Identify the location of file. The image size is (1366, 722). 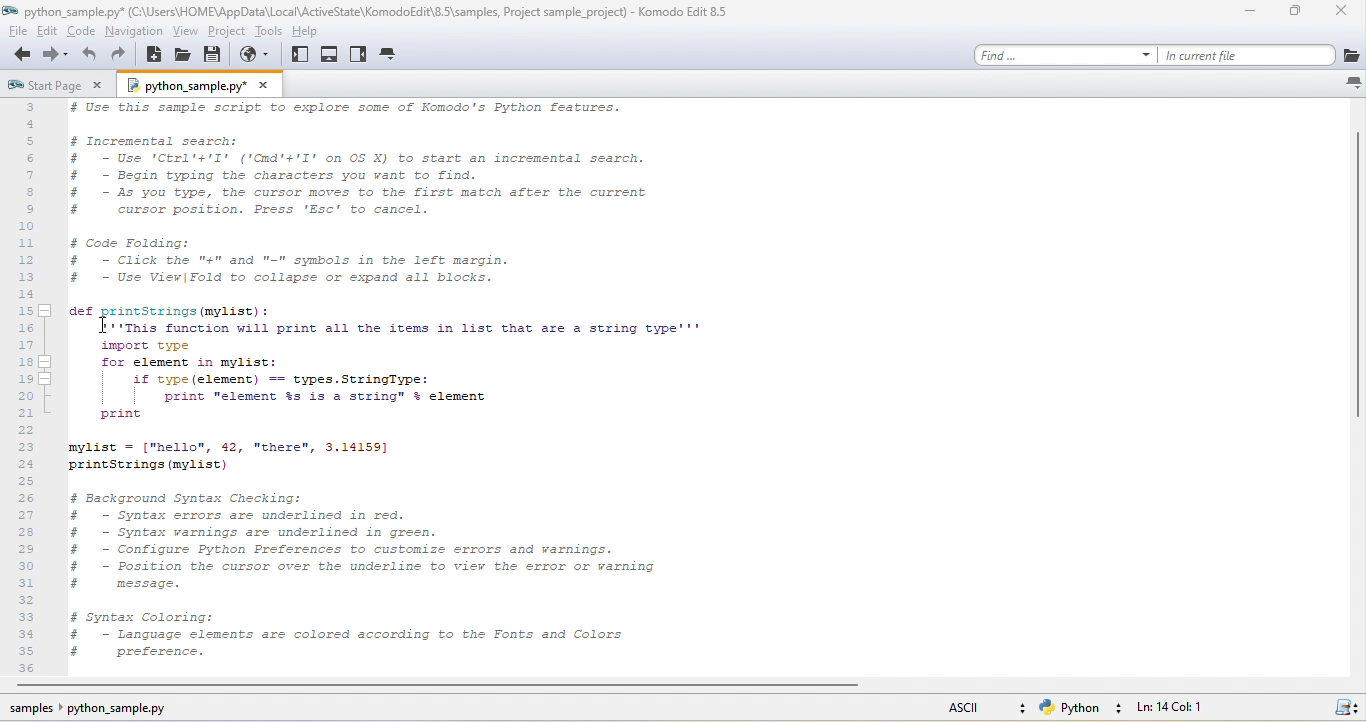
(17, 32).